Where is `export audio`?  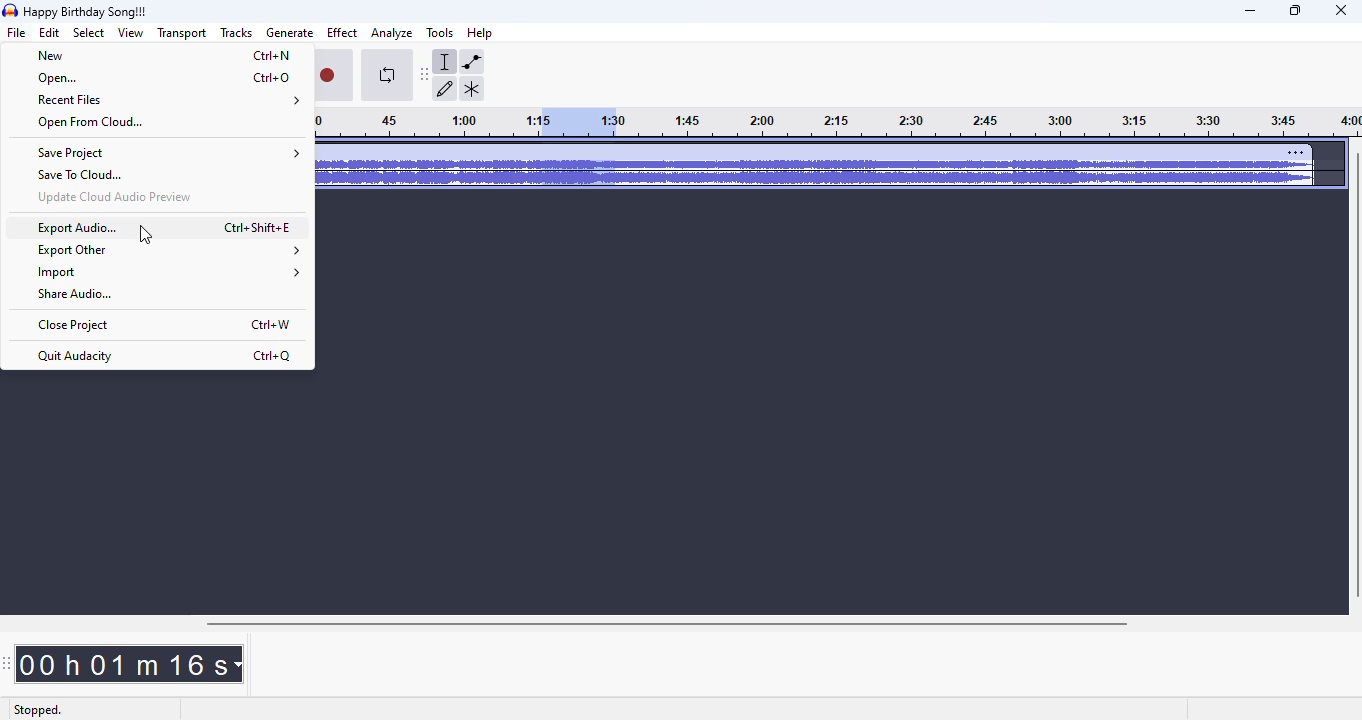
export audio is located at coordinates (78, 227).